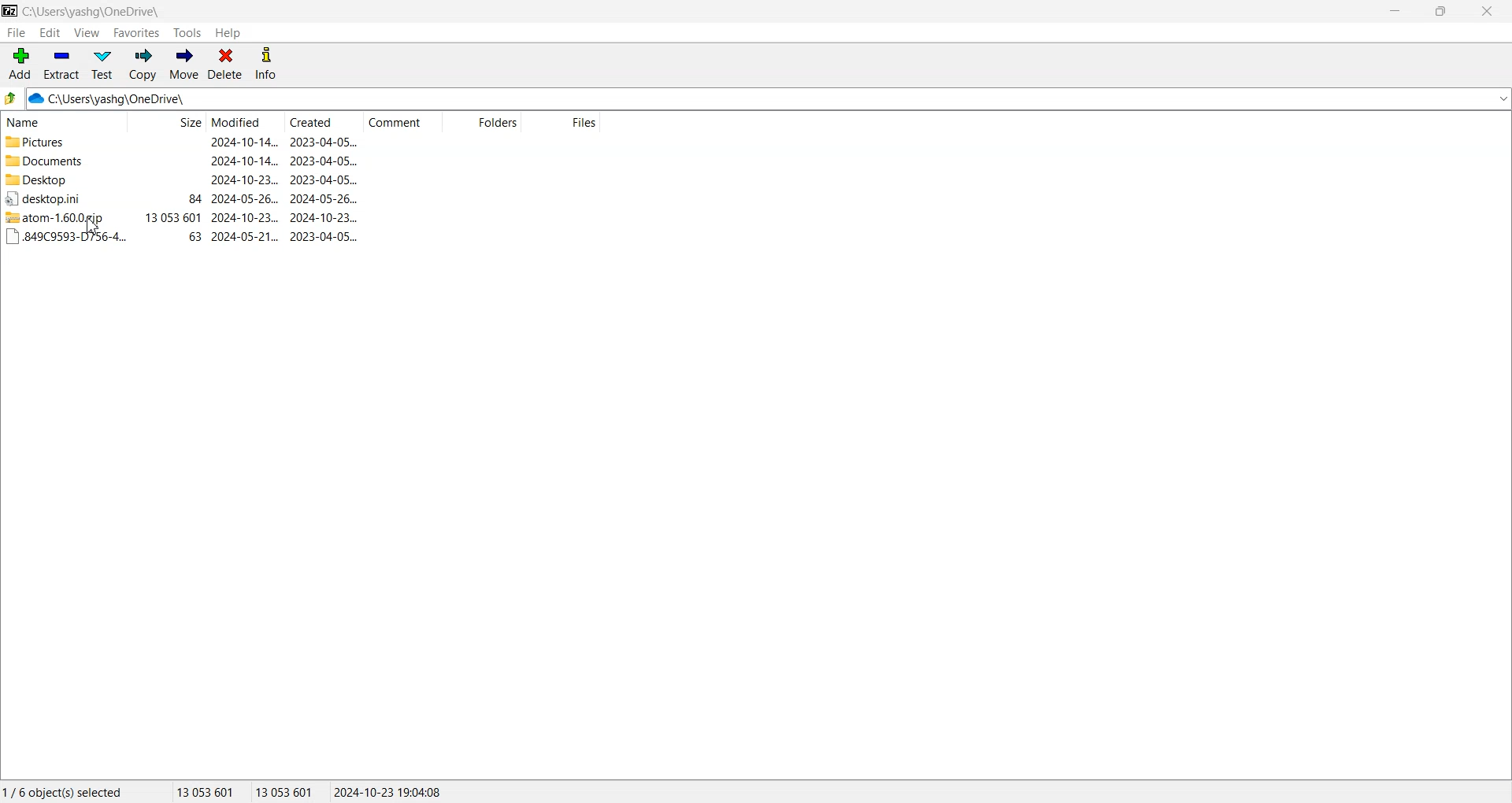  I want to click on .894c File, so click(65, 237).